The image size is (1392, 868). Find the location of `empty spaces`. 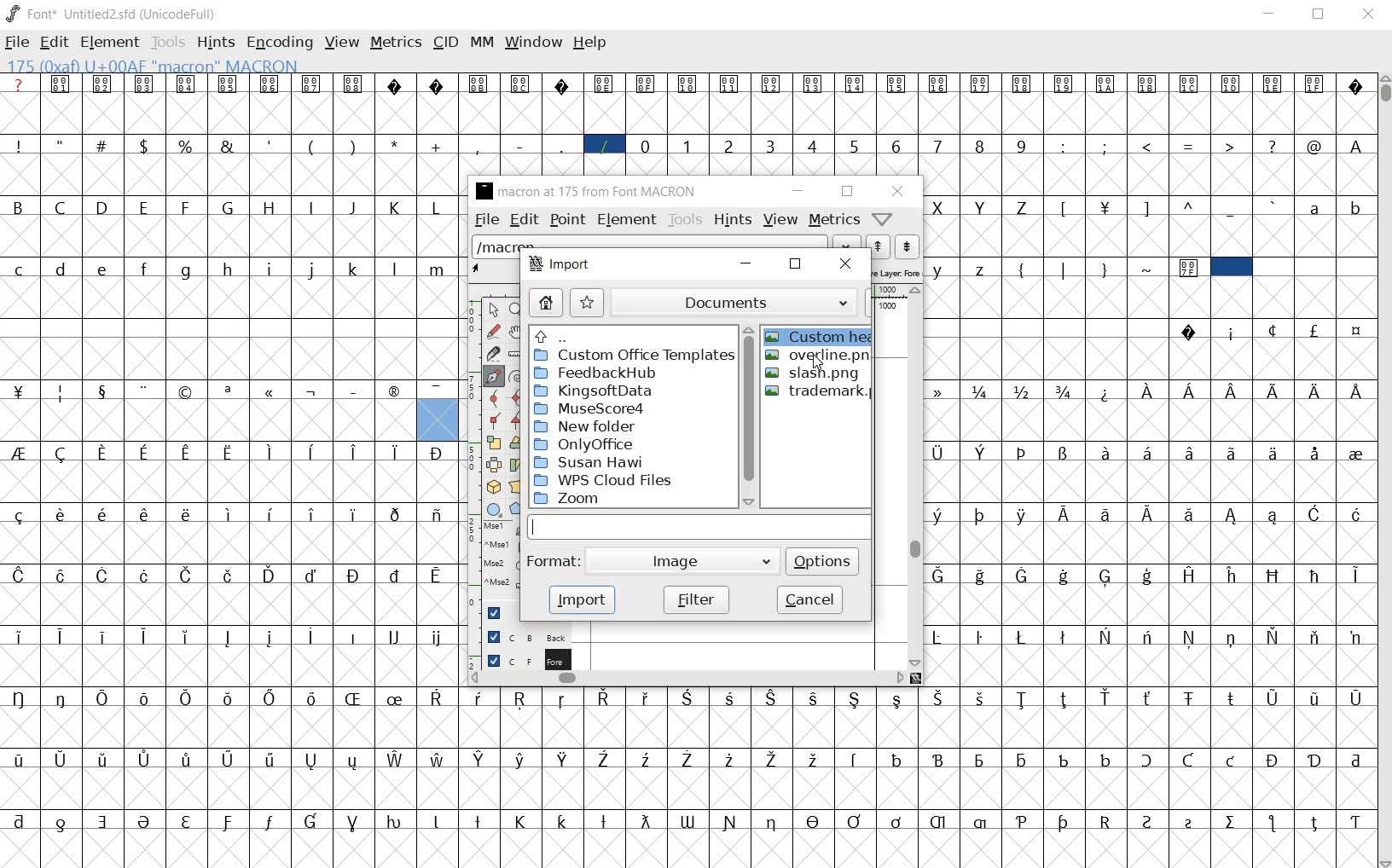

empty spaces is located at coordinates (1317, 269).